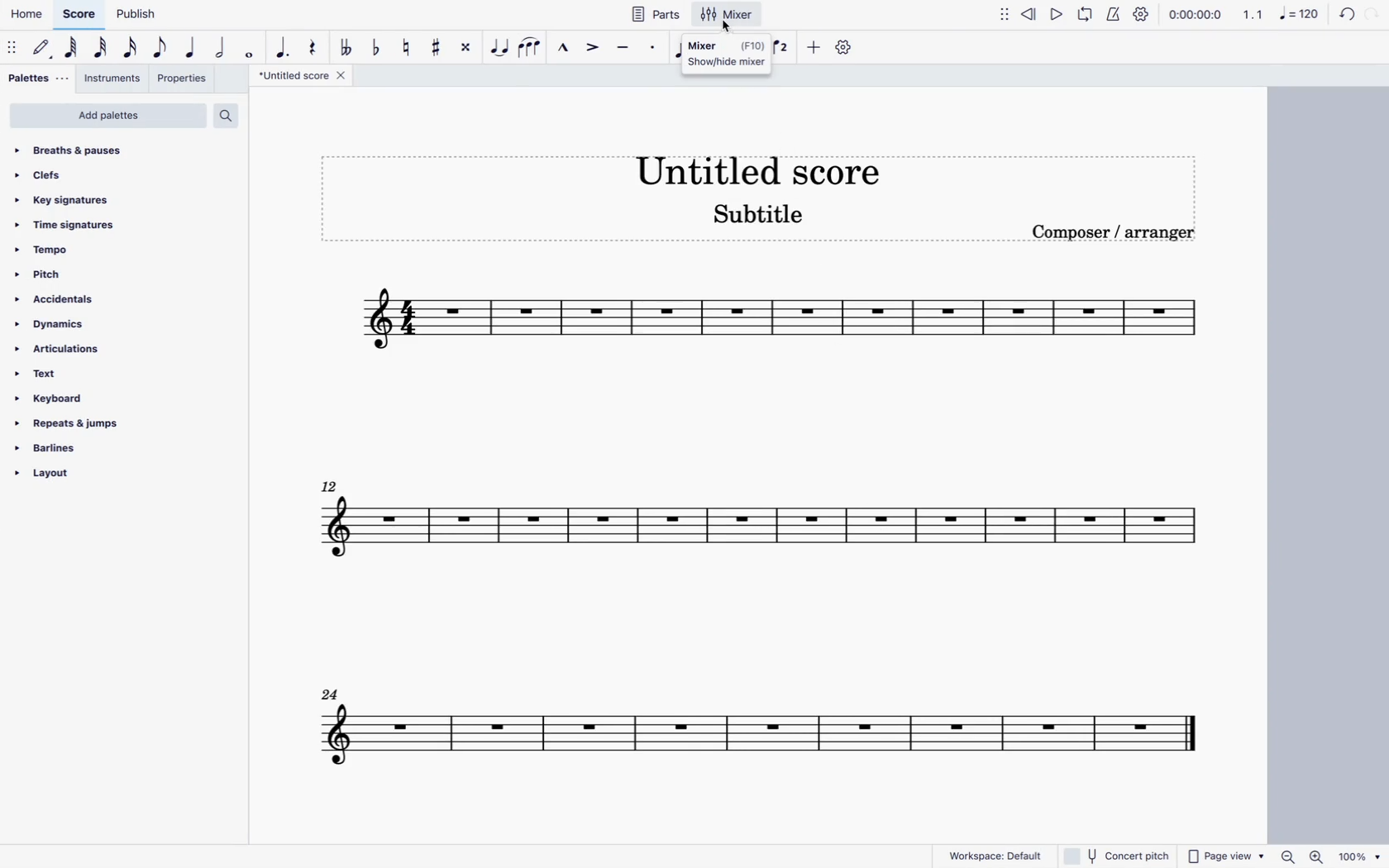 The image size is (1389, 868). I want to click on barlines, so click(69, 451).